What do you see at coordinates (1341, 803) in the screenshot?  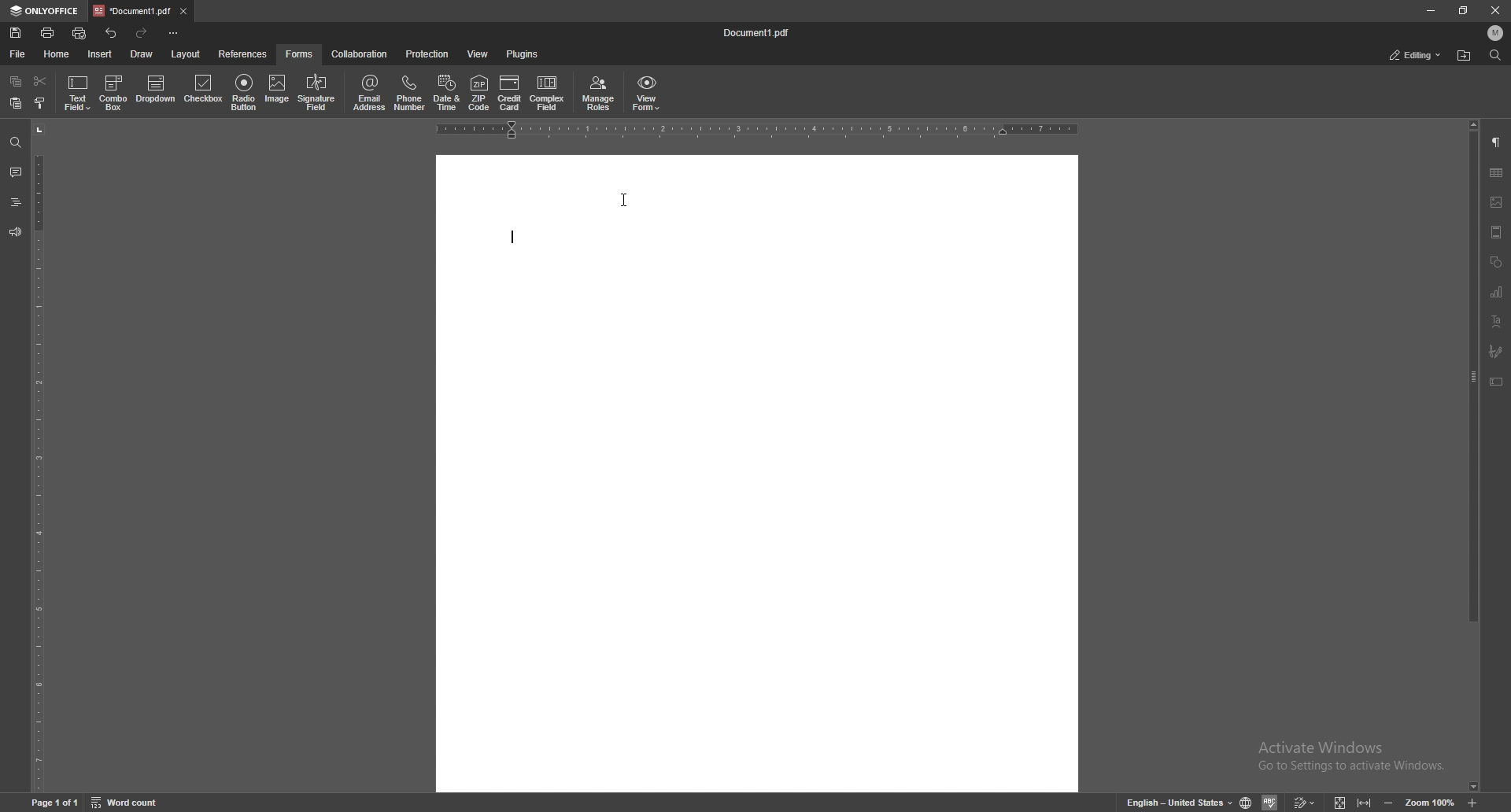 I see `fit to screen` at bounding box center [1341, 803].